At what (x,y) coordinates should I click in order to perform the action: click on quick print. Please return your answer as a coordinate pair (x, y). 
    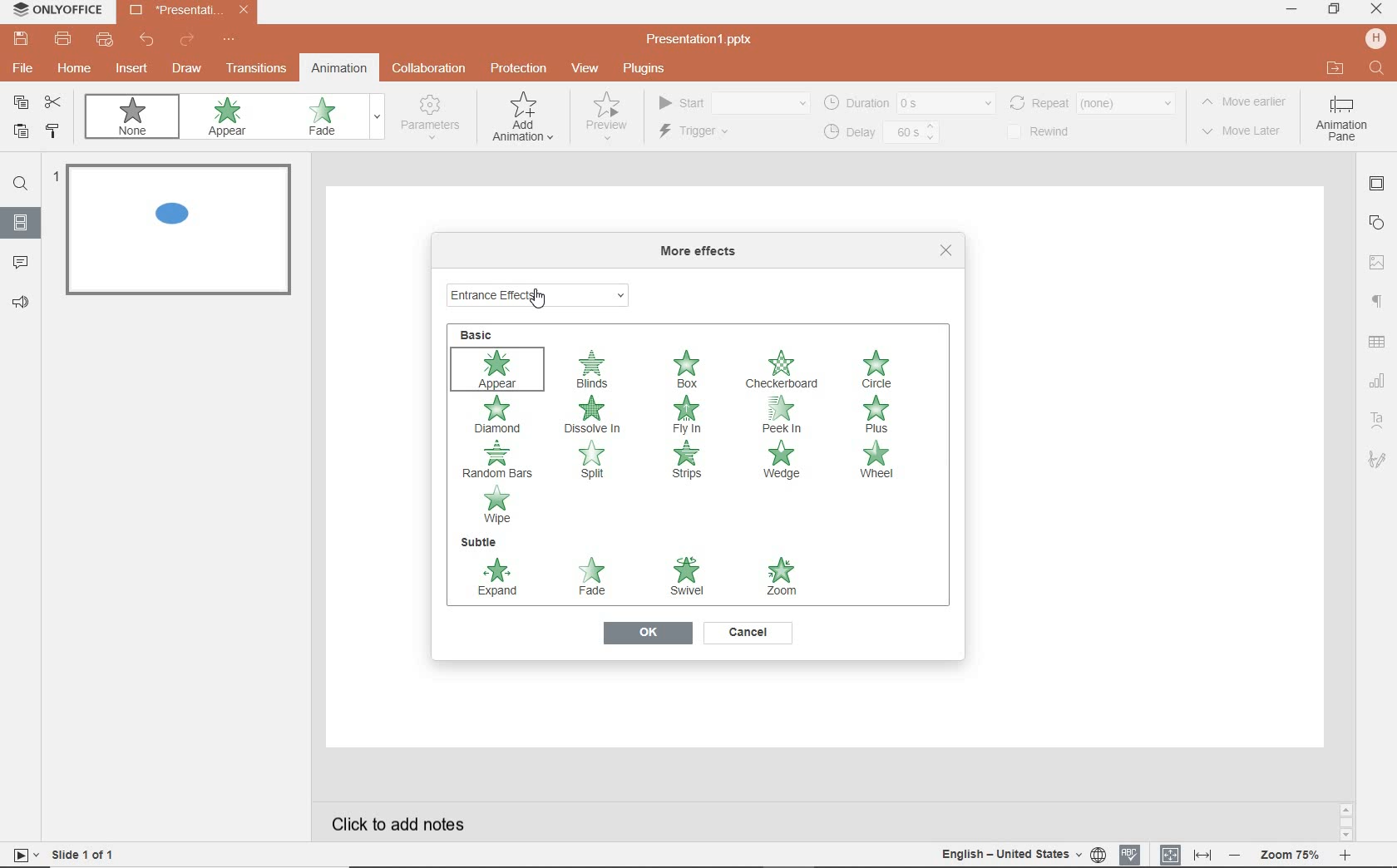
    Looking at the image, I should click on (106, 42).